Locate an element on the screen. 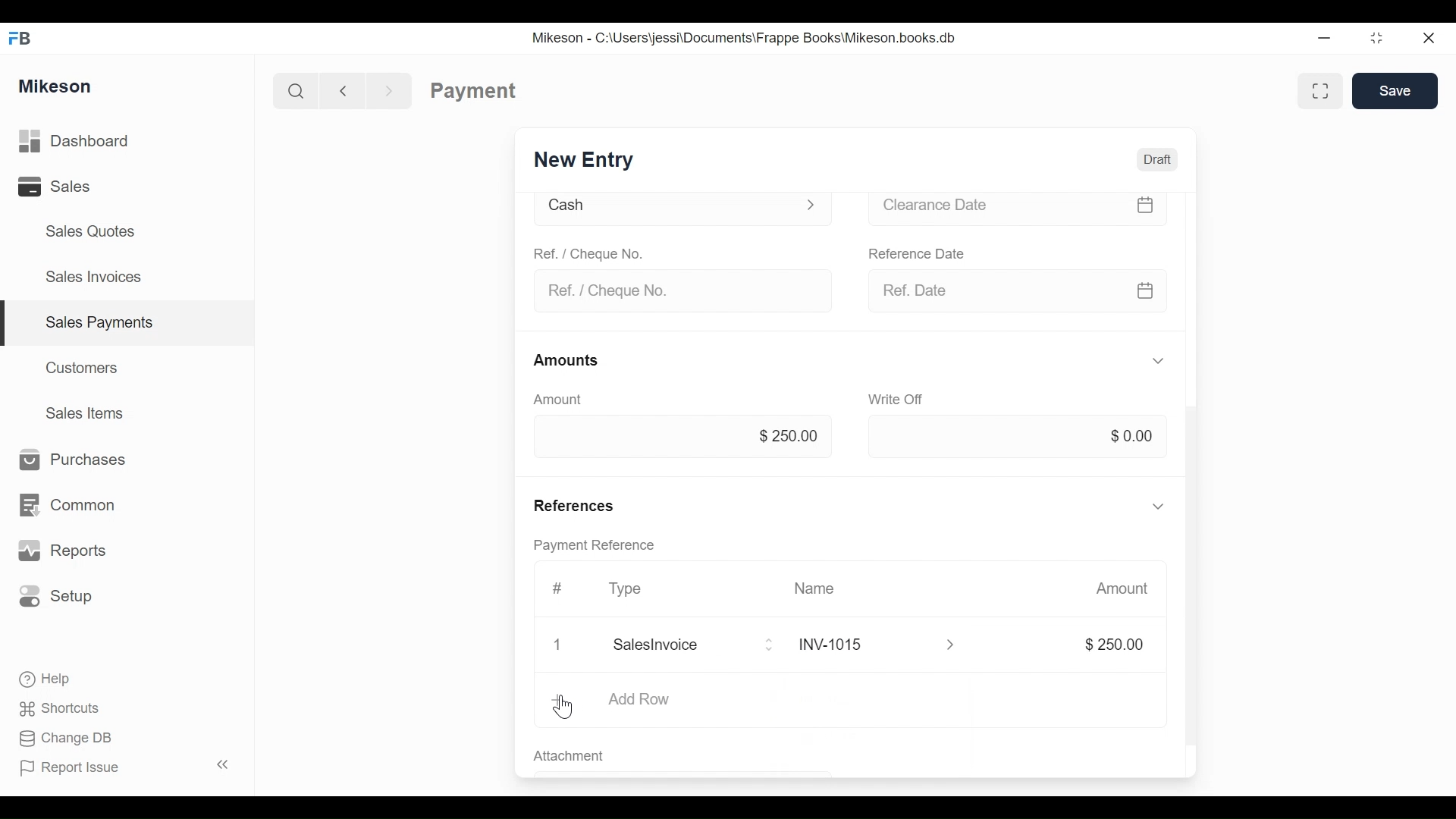 Image resolution: width=1456 pixels, height=819 pixels. Ref. / Cheque No. is located at coordinates (594, 256).